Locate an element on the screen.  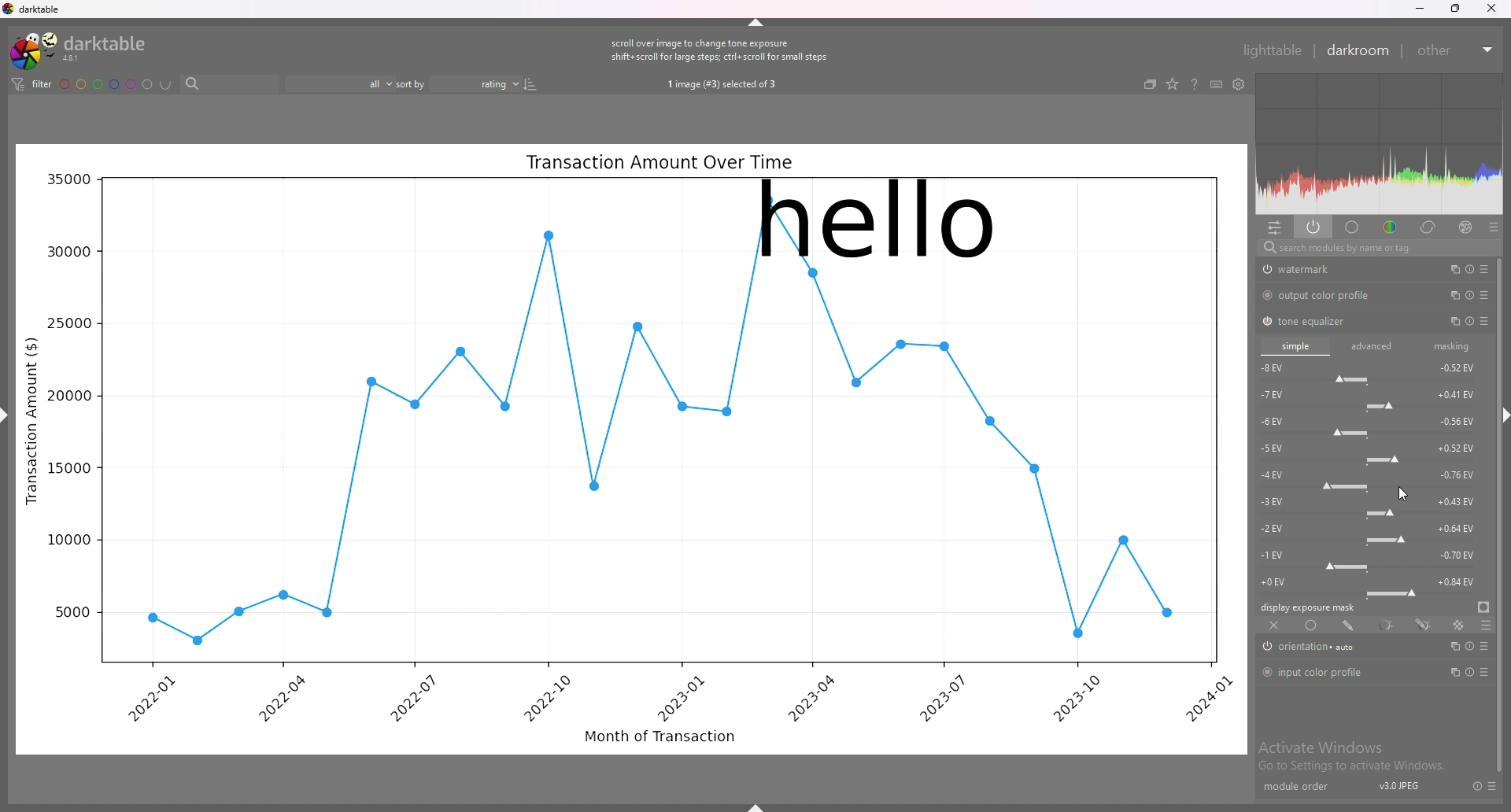
2022-10 is located at coordinates (545, 697).